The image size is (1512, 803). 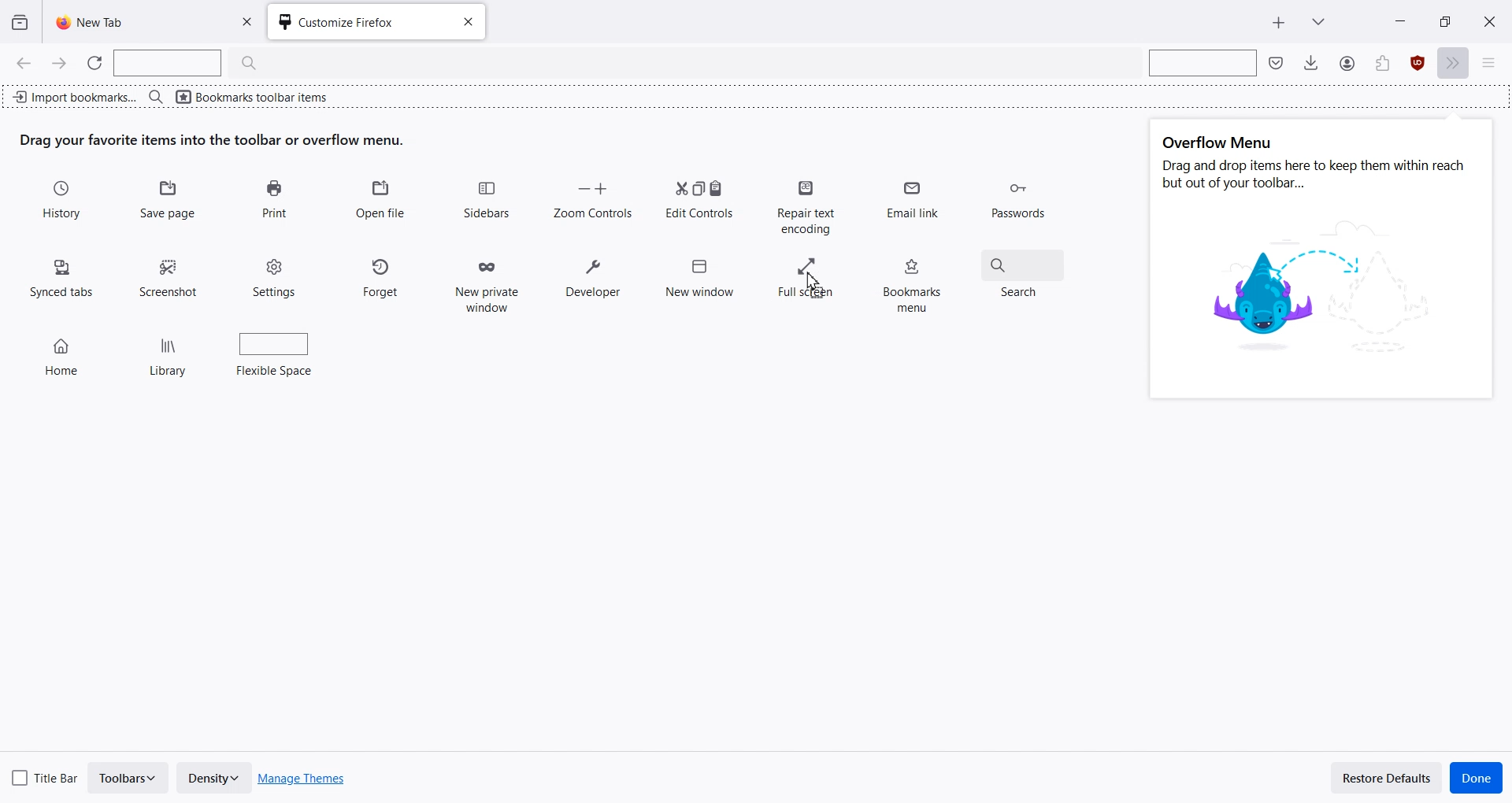 I want to click on Open file, so click(x=380, y=200).